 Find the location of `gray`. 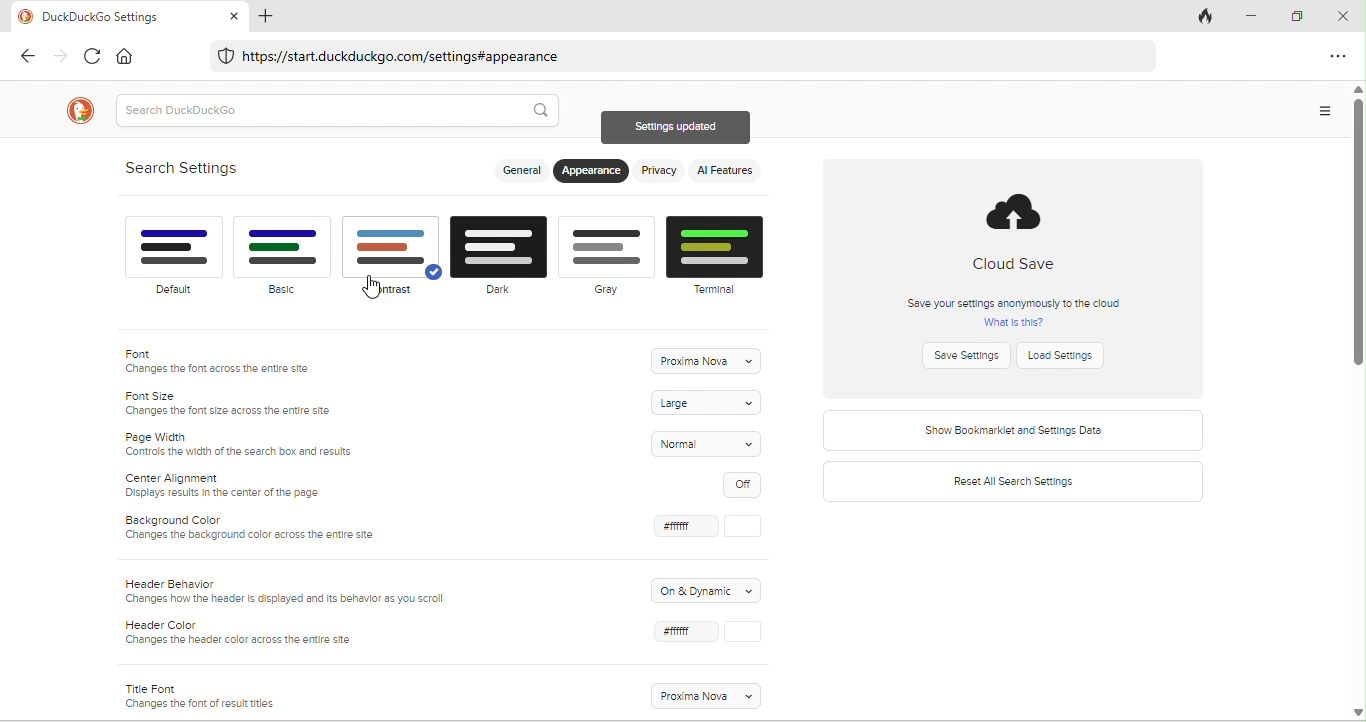

gray is located at coordinates (607, 255).